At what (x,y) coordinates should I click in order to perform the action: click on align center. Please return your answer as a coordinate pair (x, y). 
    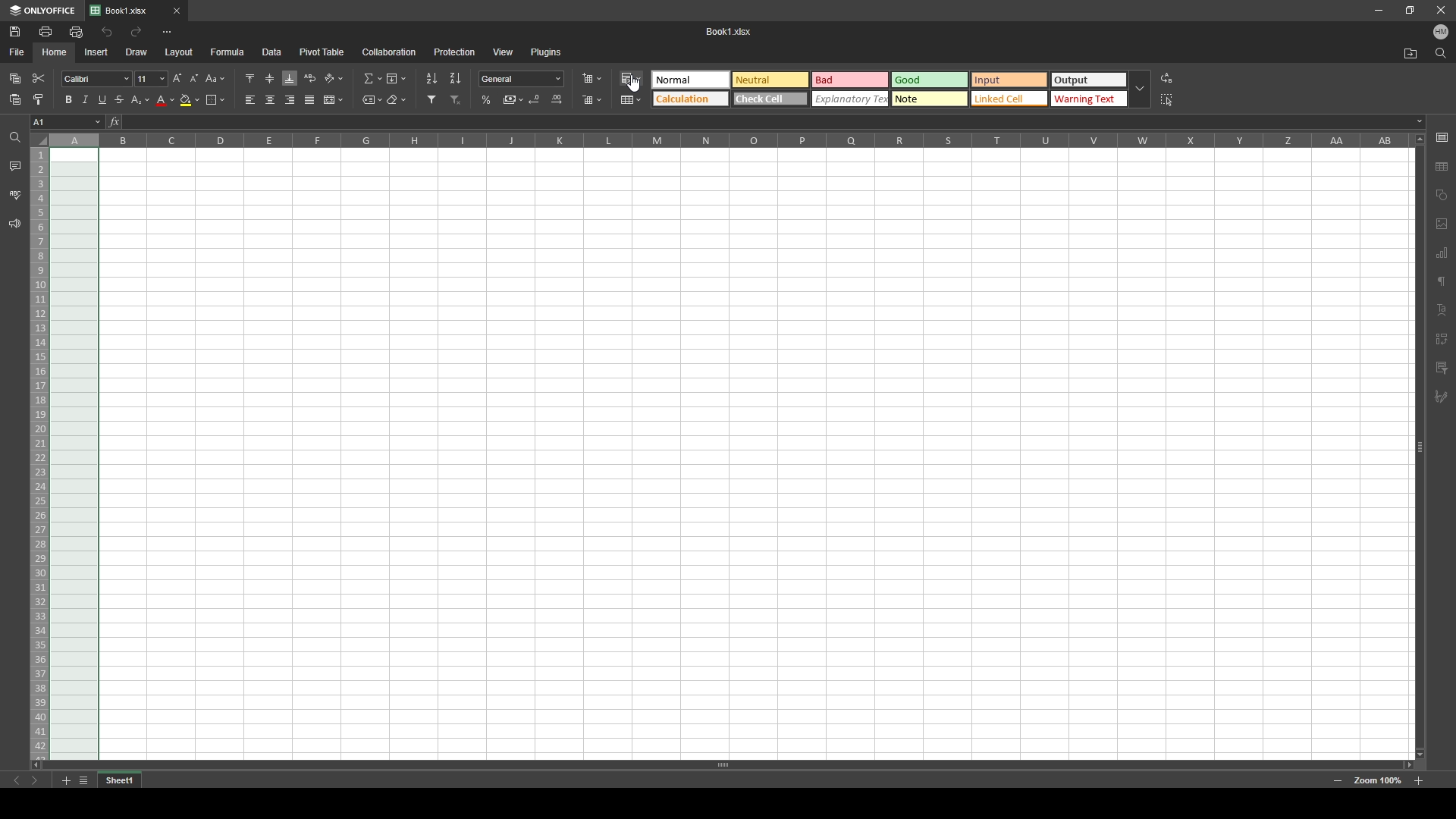
    Looking at the image, I should click on (271, 99).